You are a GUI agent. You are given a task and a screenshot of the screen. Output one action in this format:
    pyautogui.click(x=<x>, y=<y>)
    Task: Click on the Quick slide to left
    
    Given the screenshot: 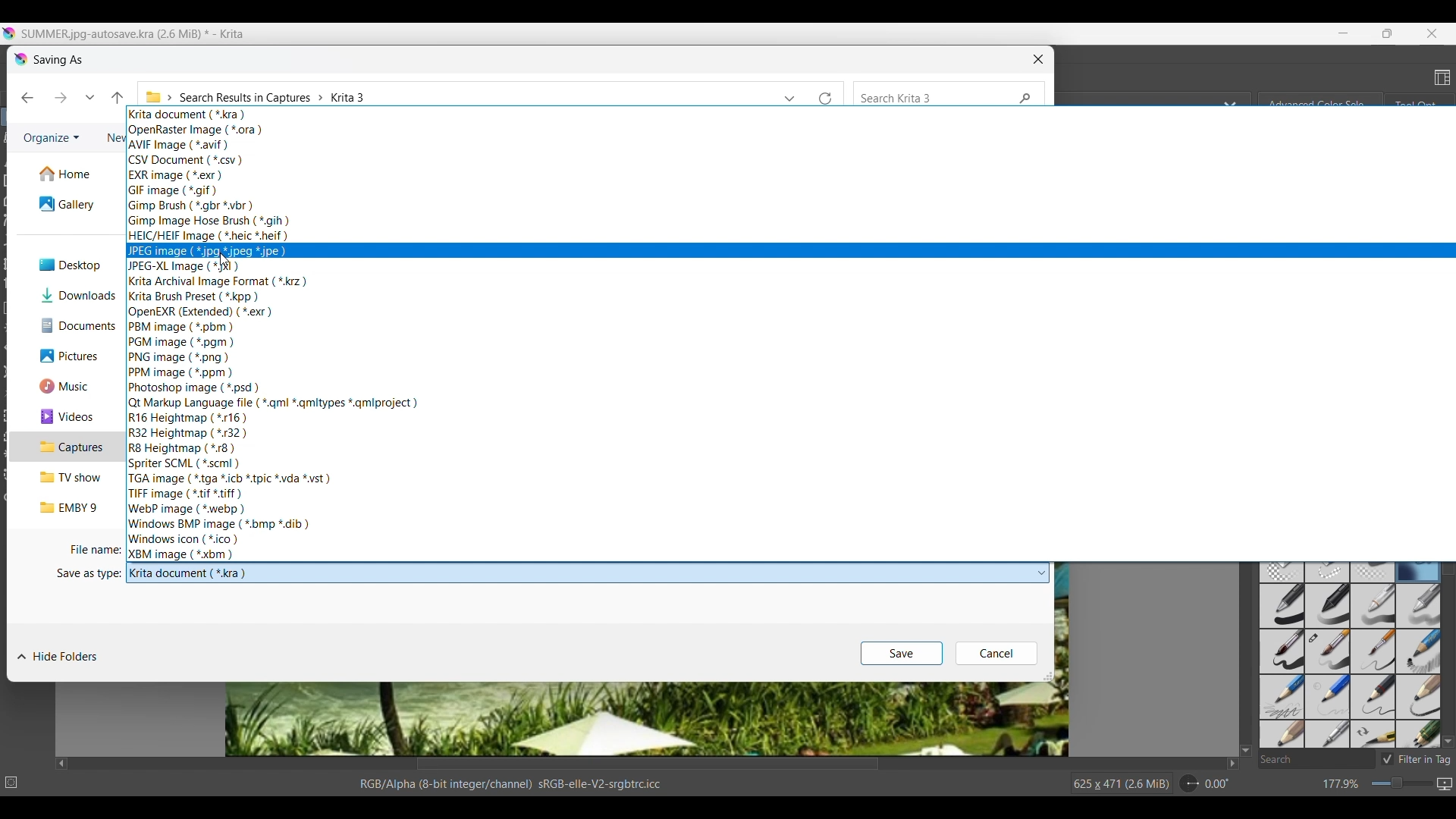 What is the action you would take?
    pyautogui.click(x=62, y=764)
    